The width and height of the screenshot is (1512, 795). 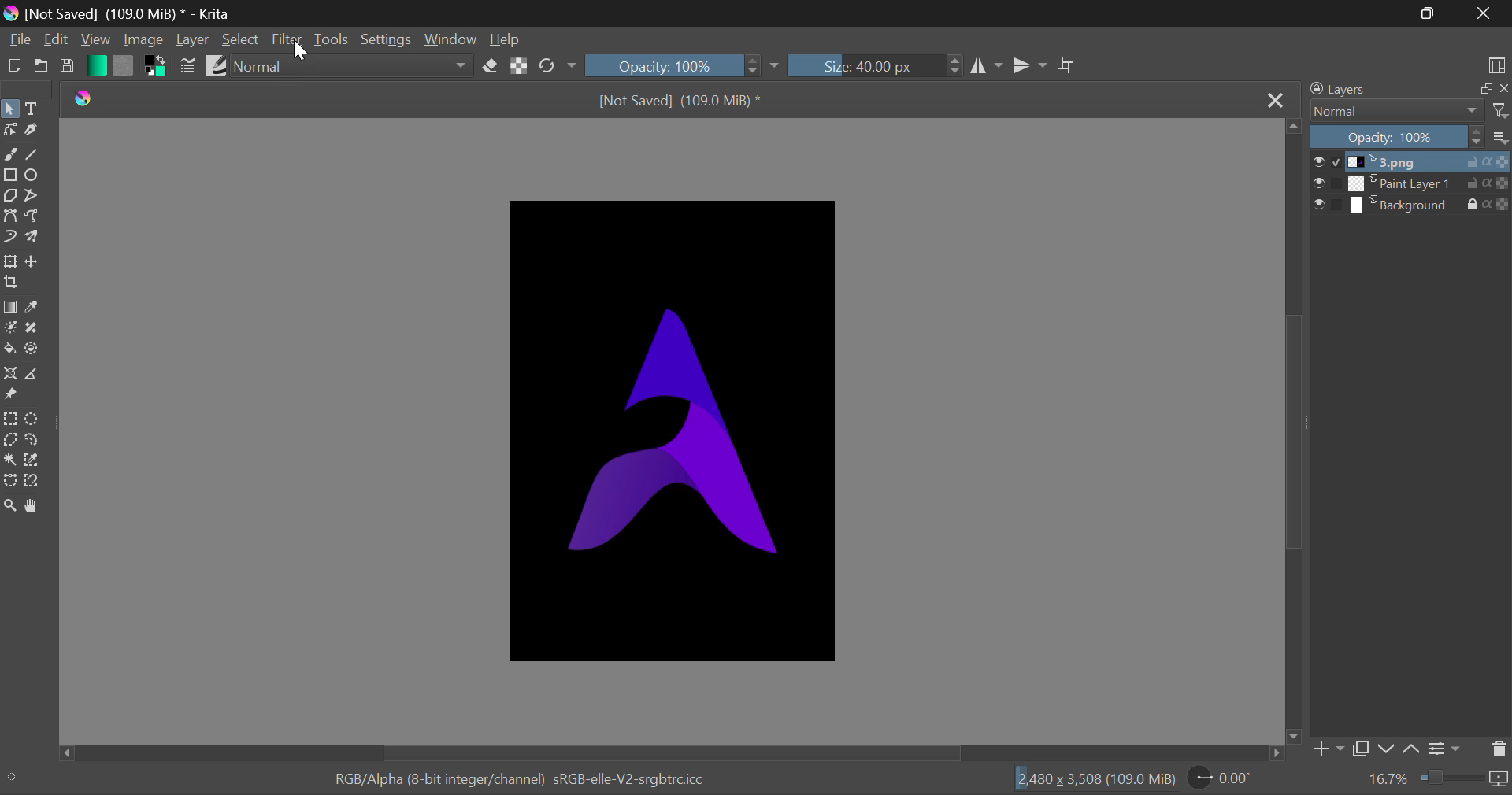 What do you see at coordinates (1465, 779) in the screenshot?
I see `zoom slider` at bounding box center [1465, 779].